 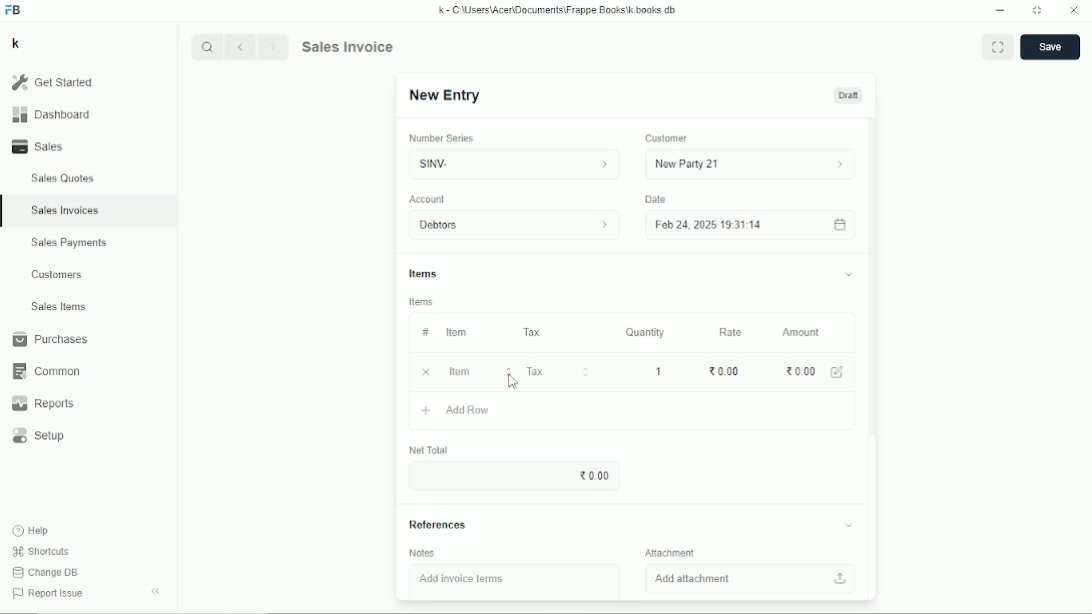 What do you see at coordinates (512, 382) in the screenshot?
I see `Cursor` at bounding box center [512, 382].